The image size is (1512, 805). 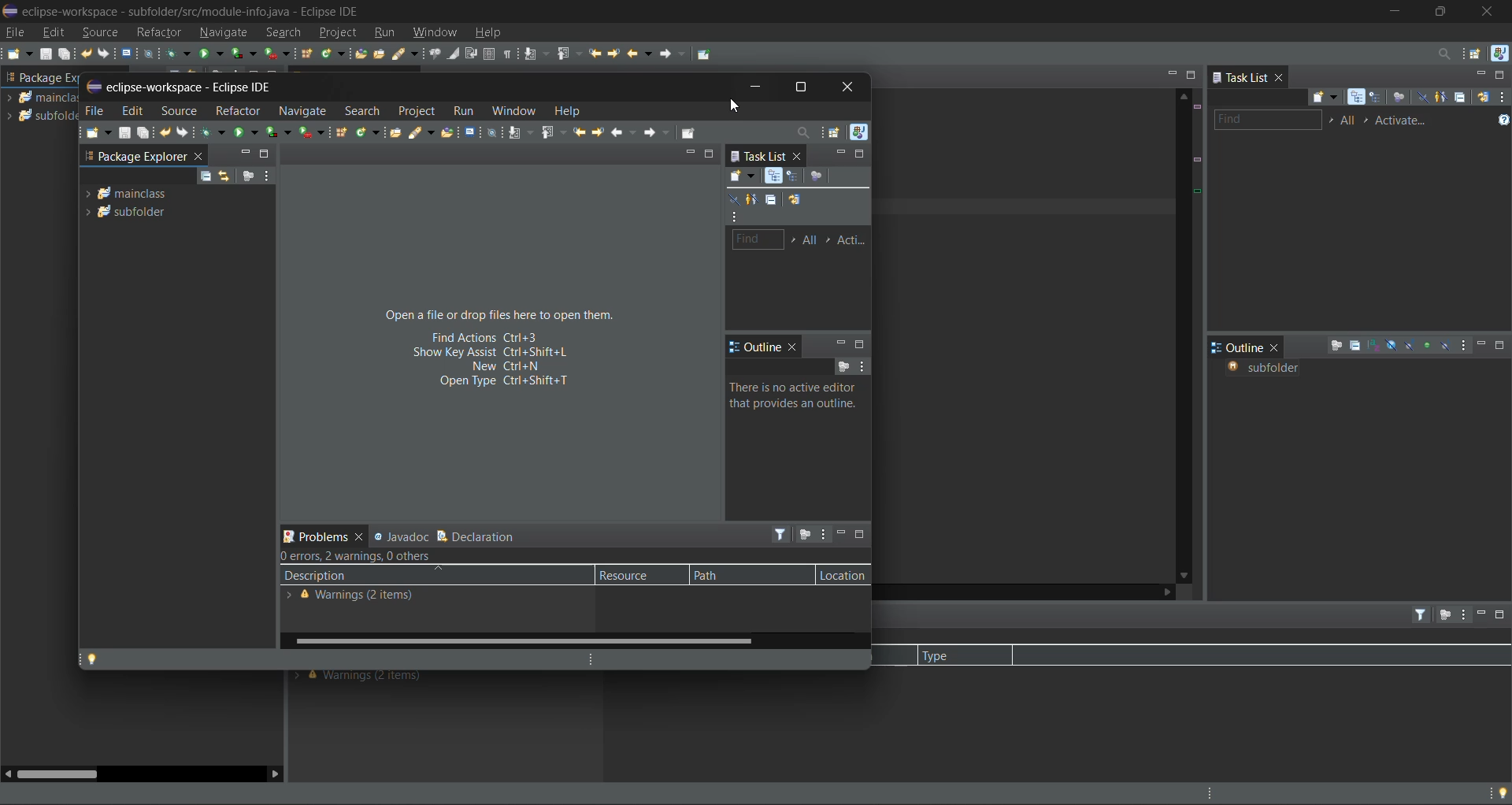 I want to click on close, so click(x=850, y=86).